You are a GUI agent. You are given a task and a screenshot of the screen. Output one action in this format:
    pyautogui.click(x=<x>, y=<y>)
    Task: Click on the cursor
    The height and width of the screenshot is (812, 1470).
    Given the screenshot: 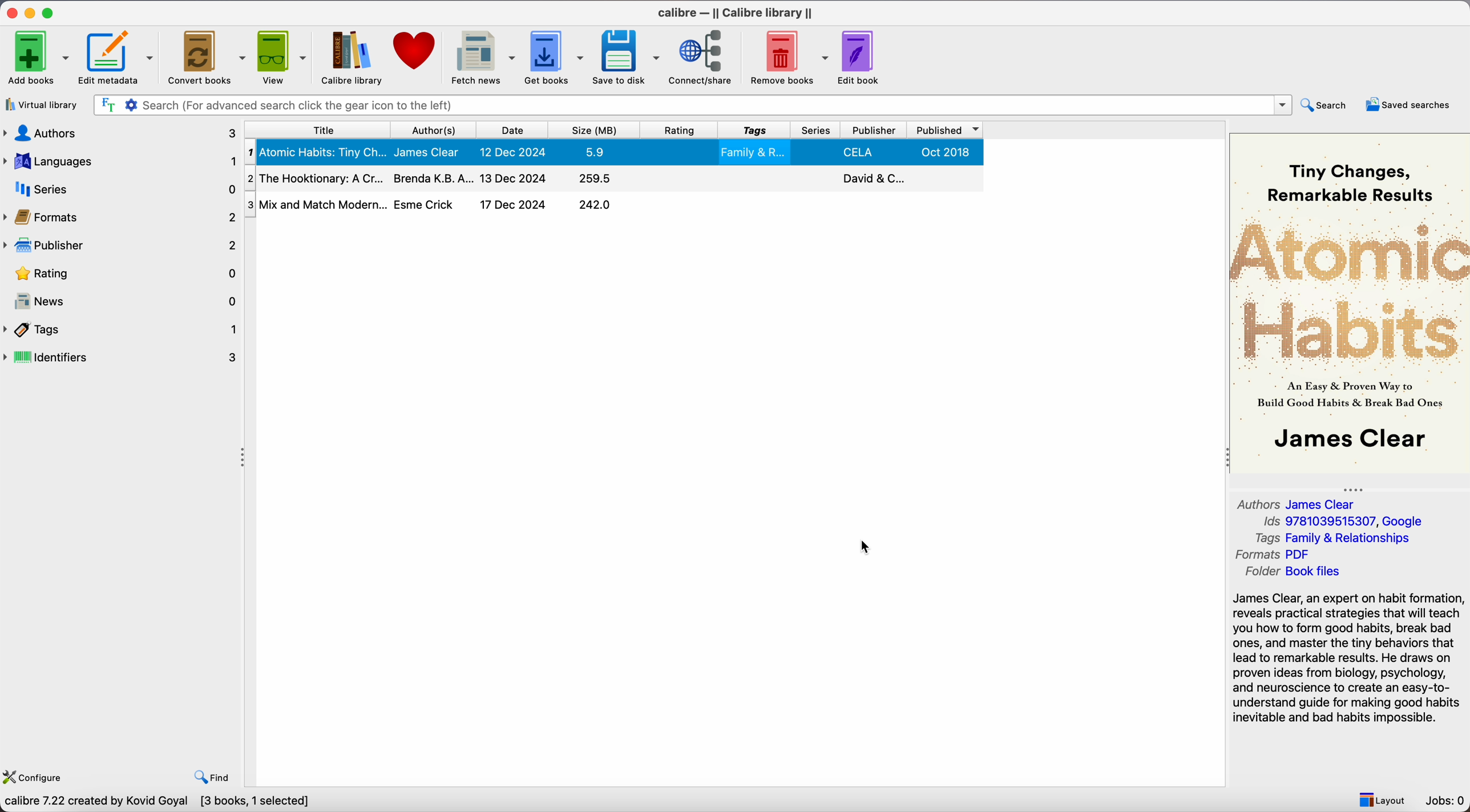 What is the action you would take?
    pyautogui.click(x=865, y=549)
    